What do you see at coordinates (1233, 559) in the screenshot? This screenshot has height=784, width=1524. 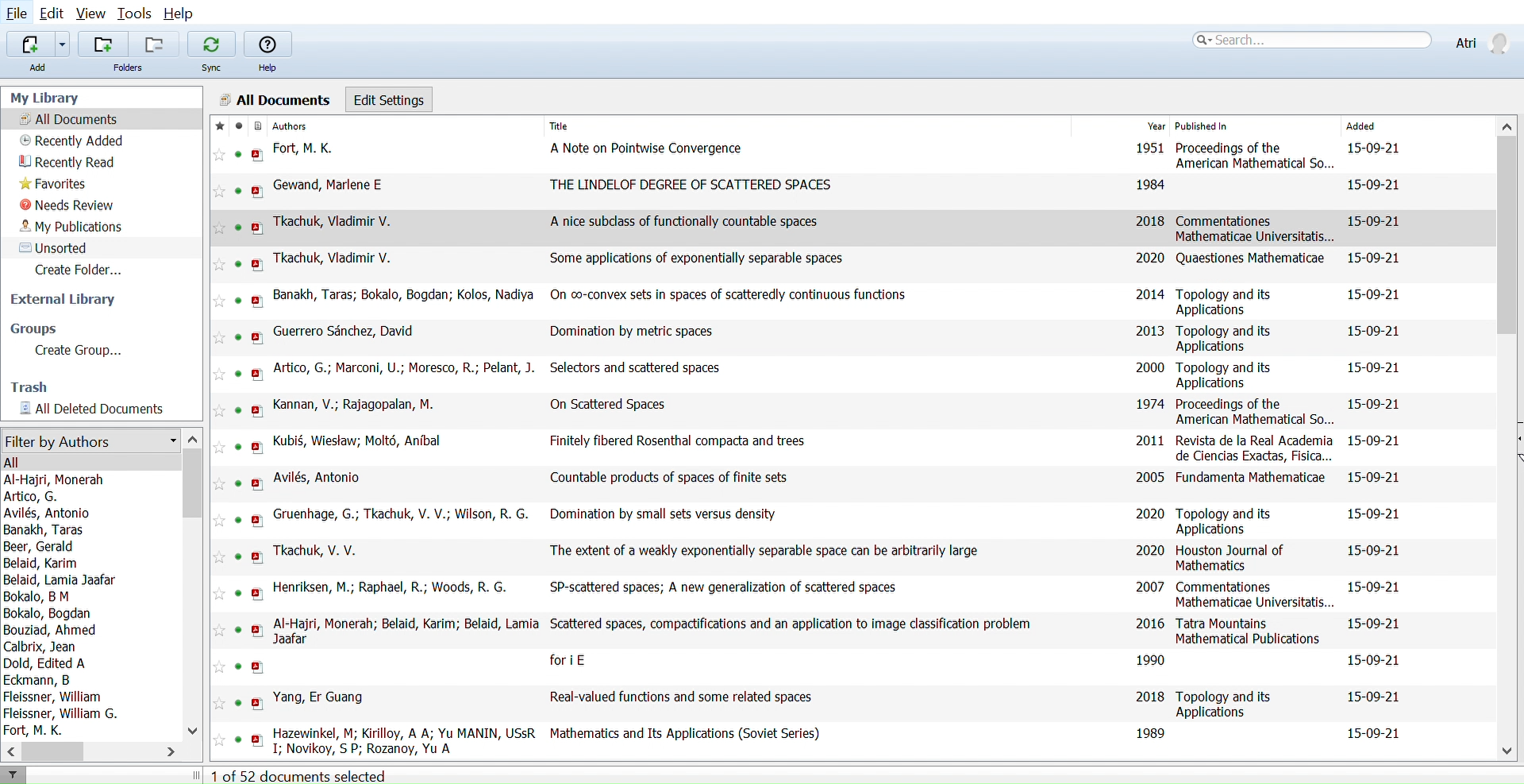 I see `Houston Journal of Mathematics` at bounding box center [1233, 559].